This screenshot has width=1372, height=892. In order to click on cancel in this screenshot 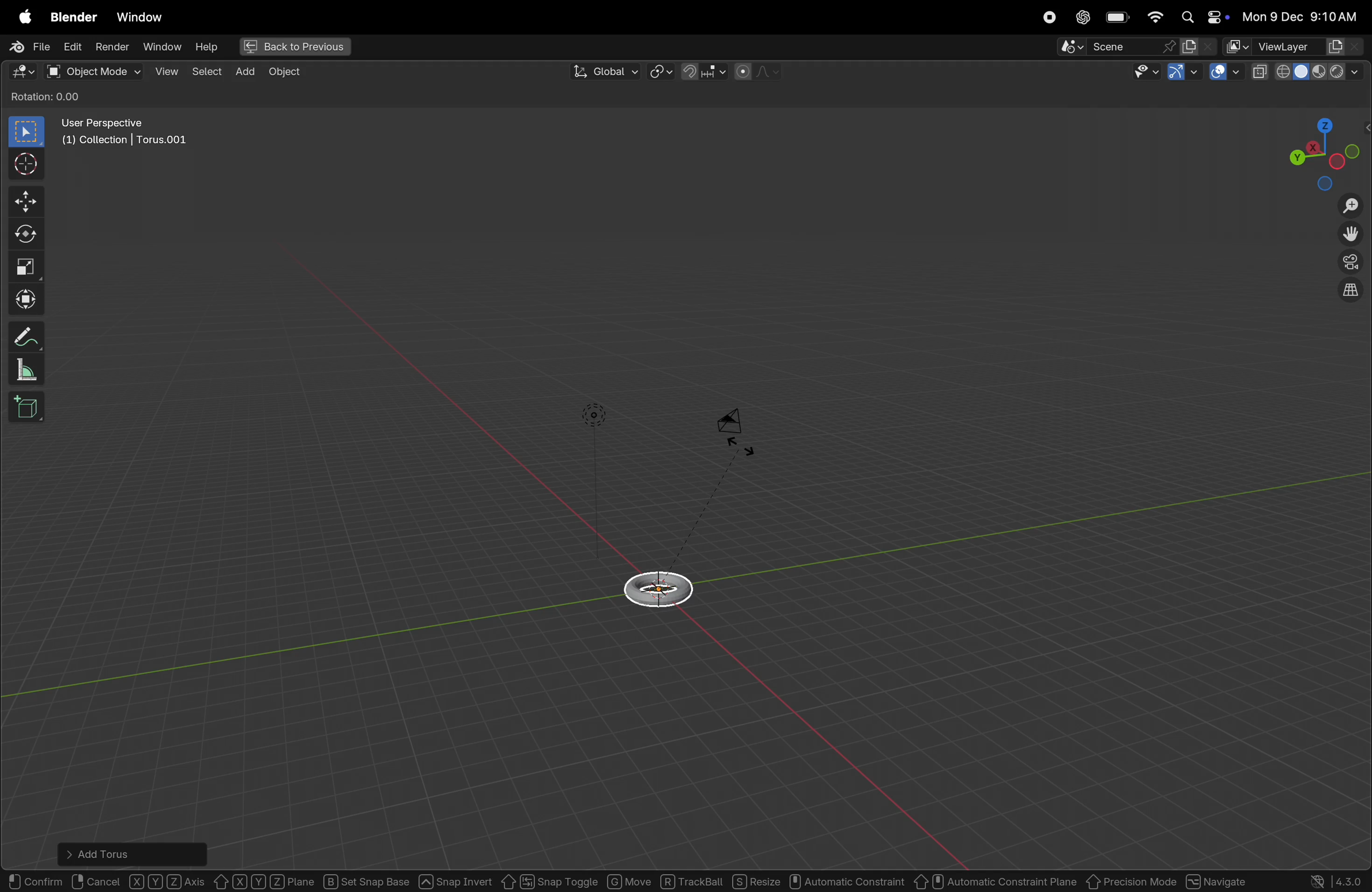, I will do `click(97, 879)`.